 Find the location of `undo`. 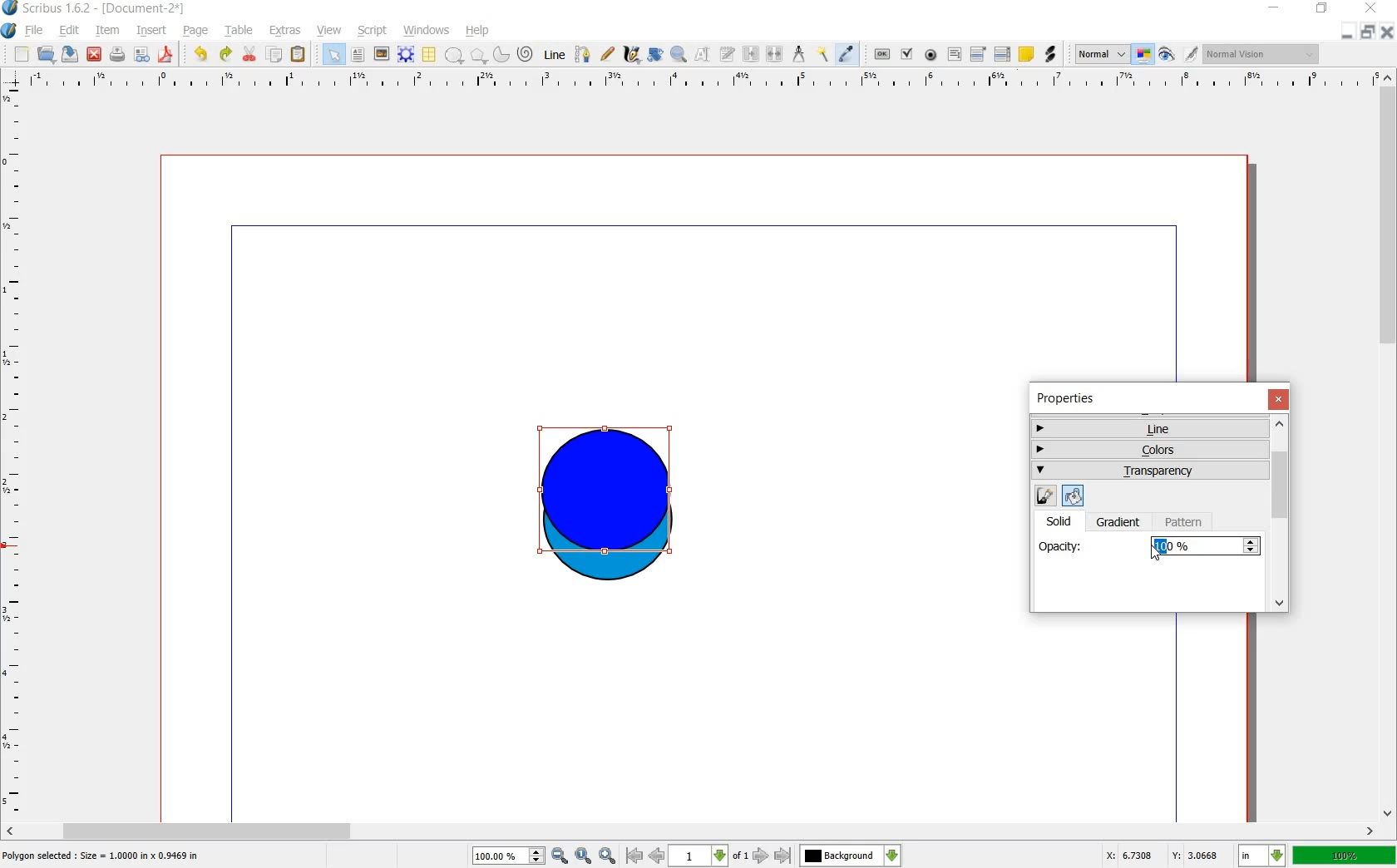

undo is located at coordinates (202, 55).